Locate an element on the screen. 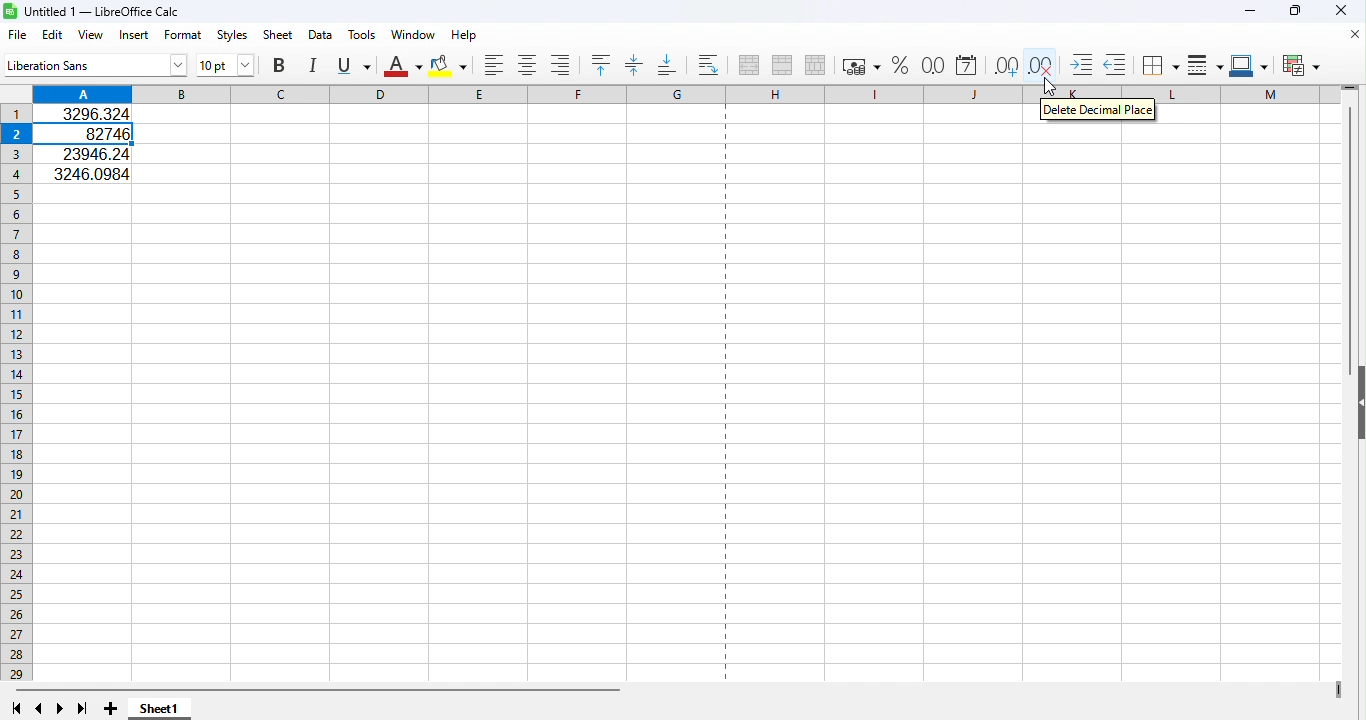  Cursor is located at coordinates (1053, 86).